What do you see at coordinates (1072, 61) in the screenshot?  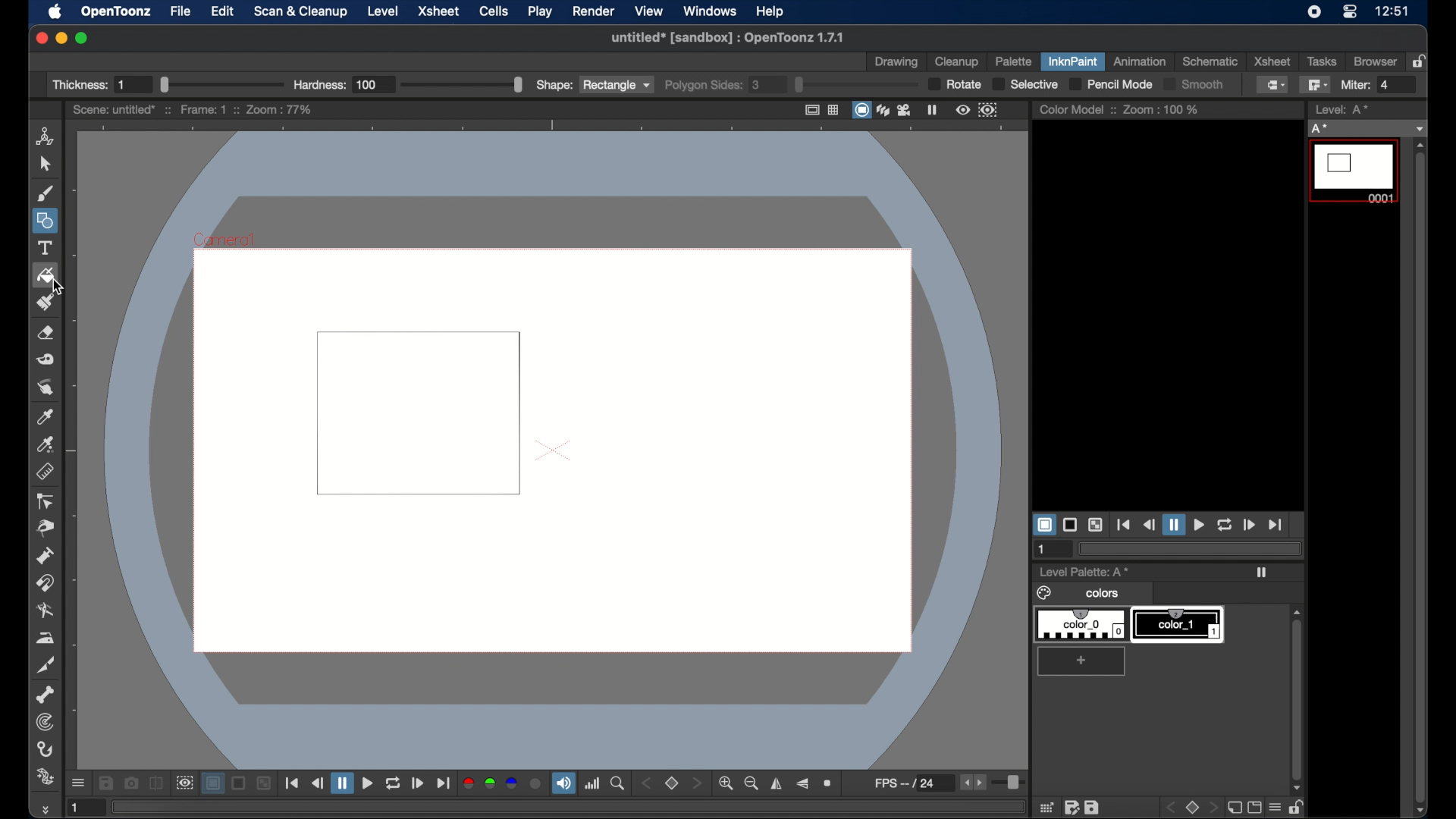 I see `inknpaint` at bounding box center [1072, 61].